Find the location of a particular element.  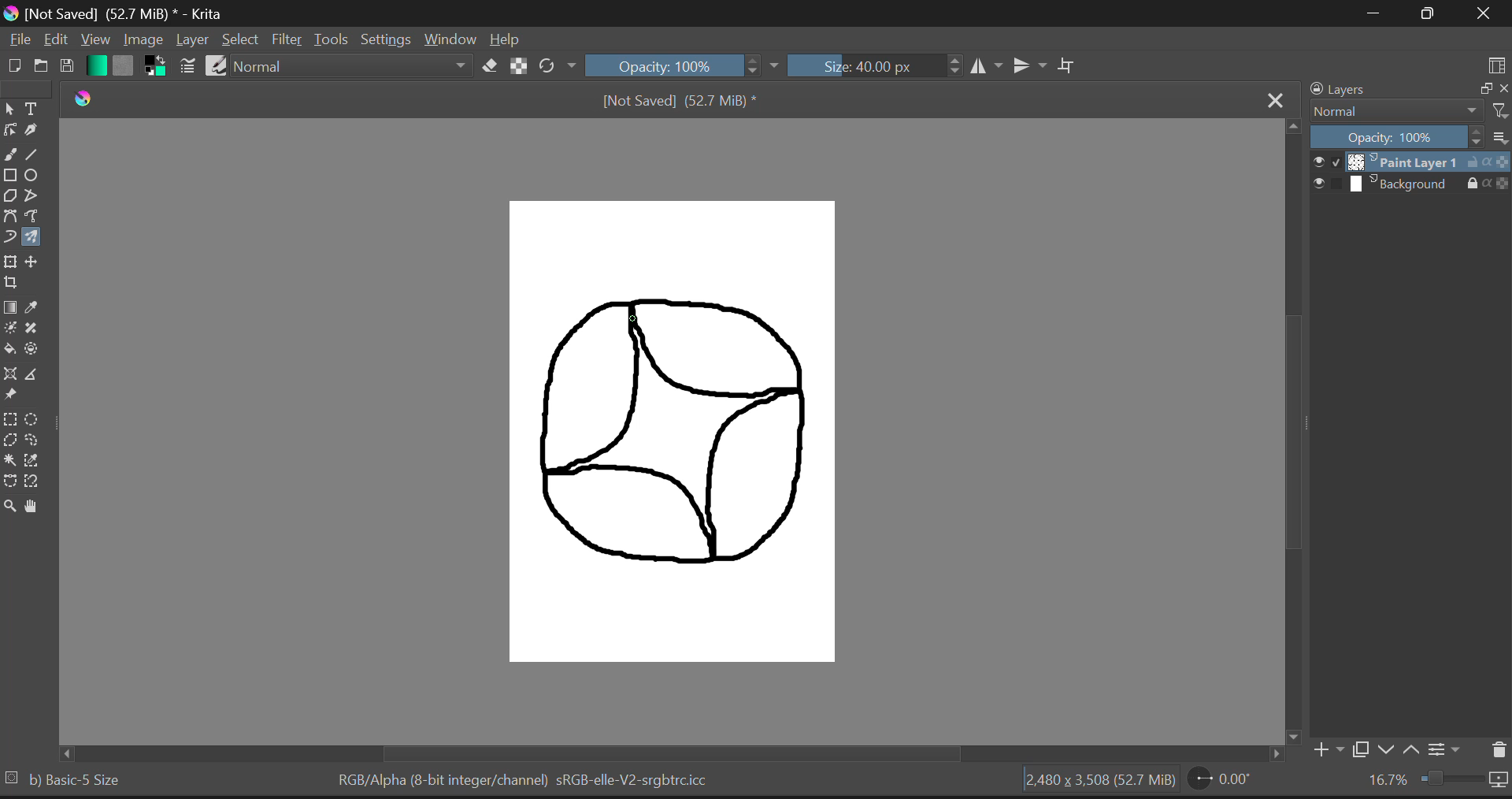

Smart Patch Tool is located at coordinates (36, 328).